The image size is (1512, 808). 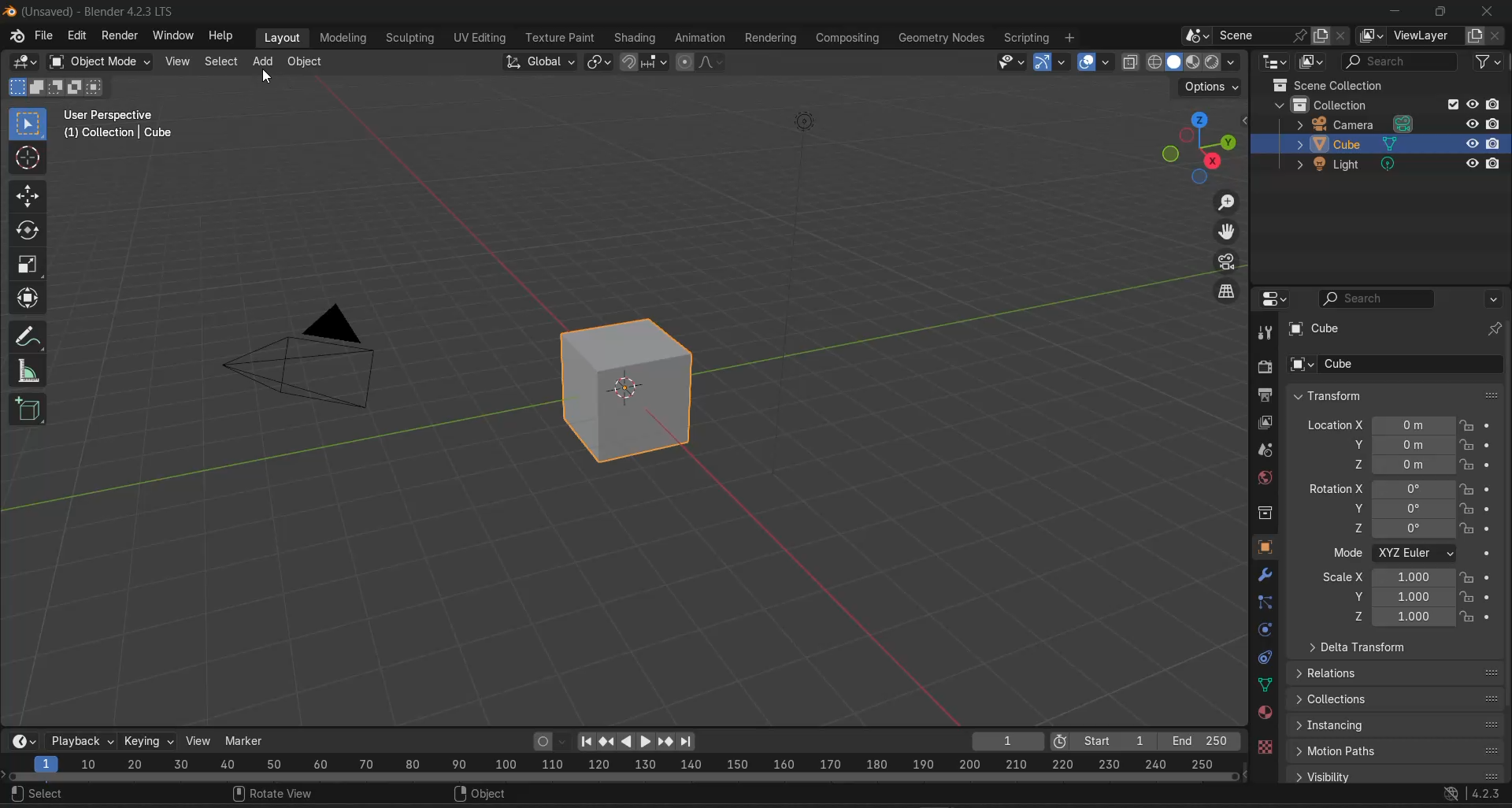 What do you see at coordinates (1469, 528) in the screenshot?
I see `lock rotation` at bounding box center [1469, 528].